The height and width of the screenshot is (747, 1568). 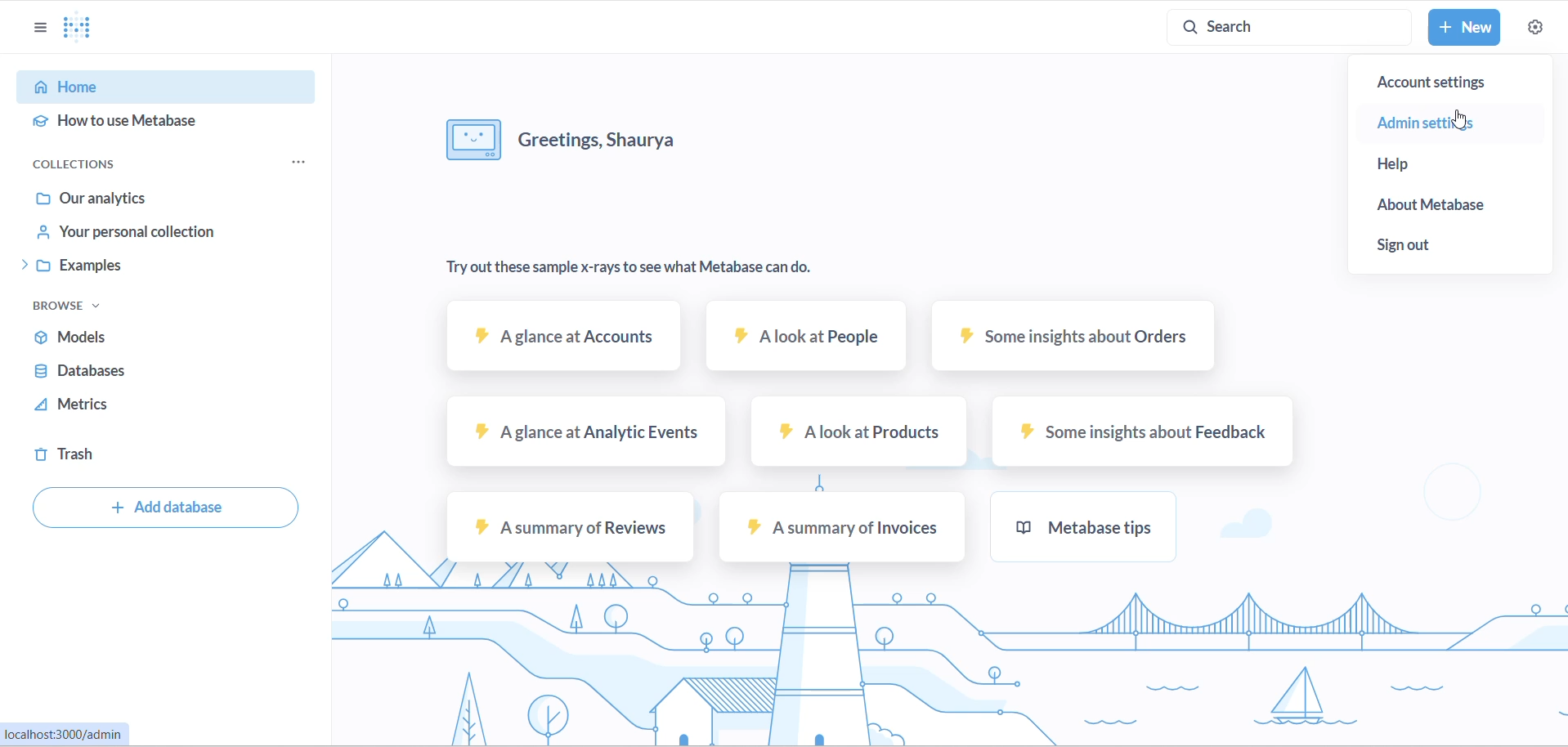 I want to click on about metabase, so click(x=1453, y=206).